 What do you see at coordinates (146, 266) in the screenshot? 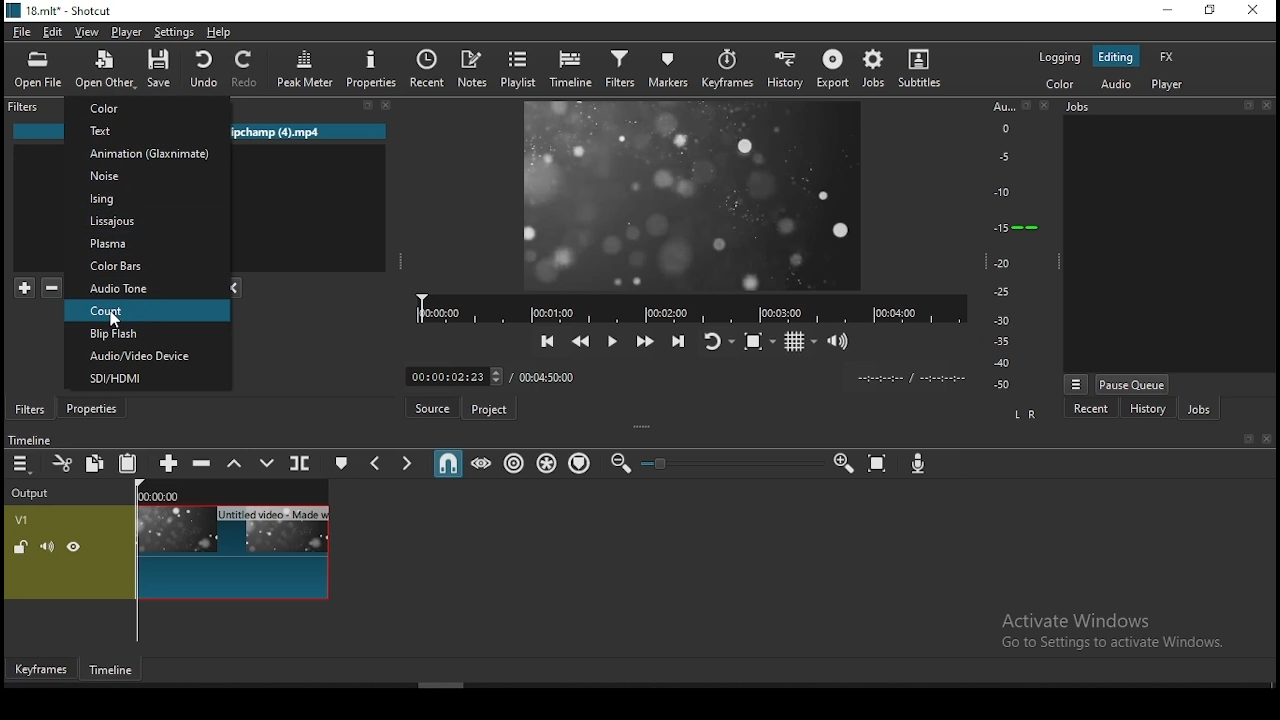
I see `color bars` at bounding box center [146, 266].